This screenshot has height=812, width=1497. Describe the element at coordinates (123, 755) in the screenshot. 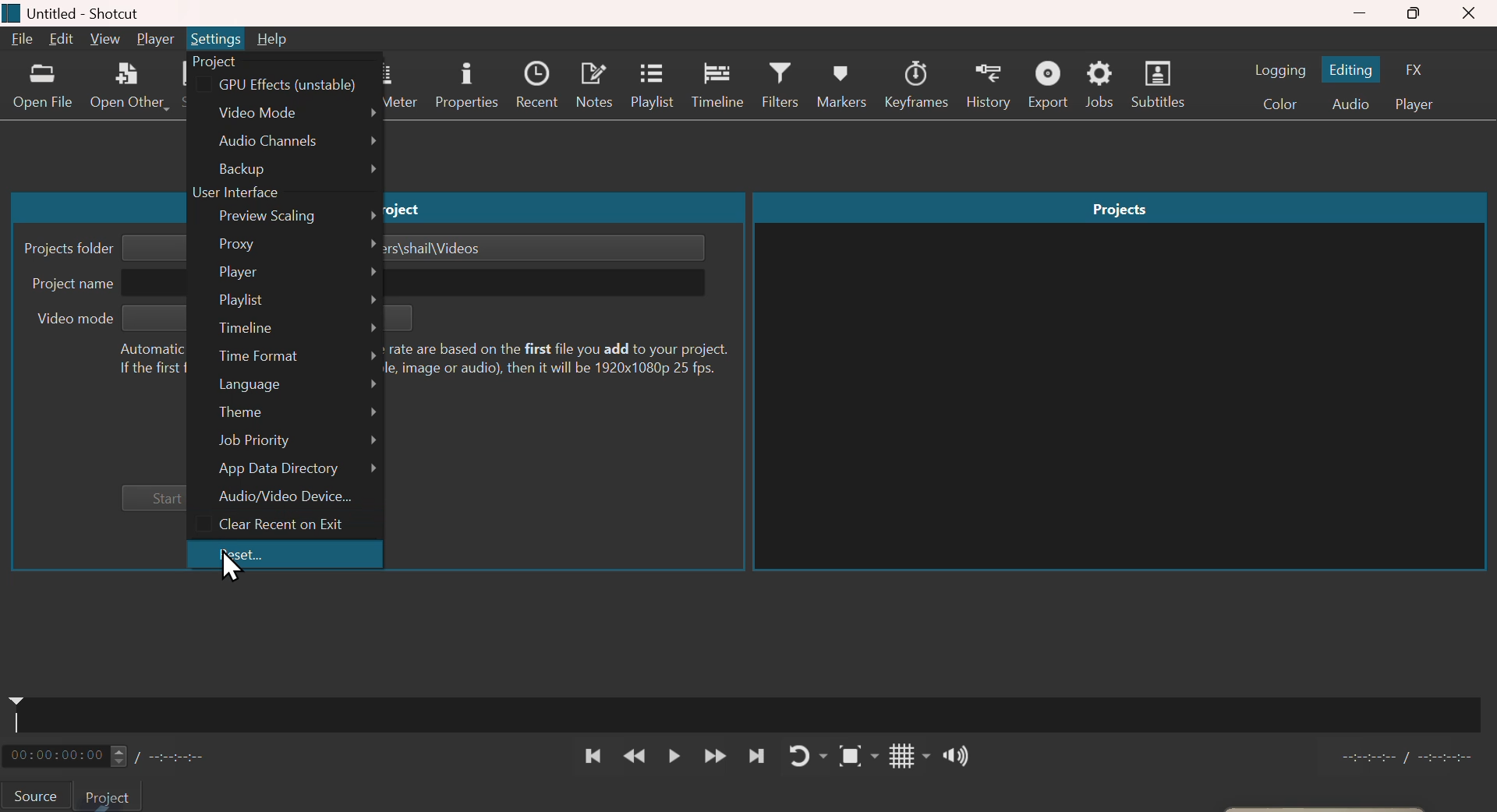

I see `Timeline meter` at that location.